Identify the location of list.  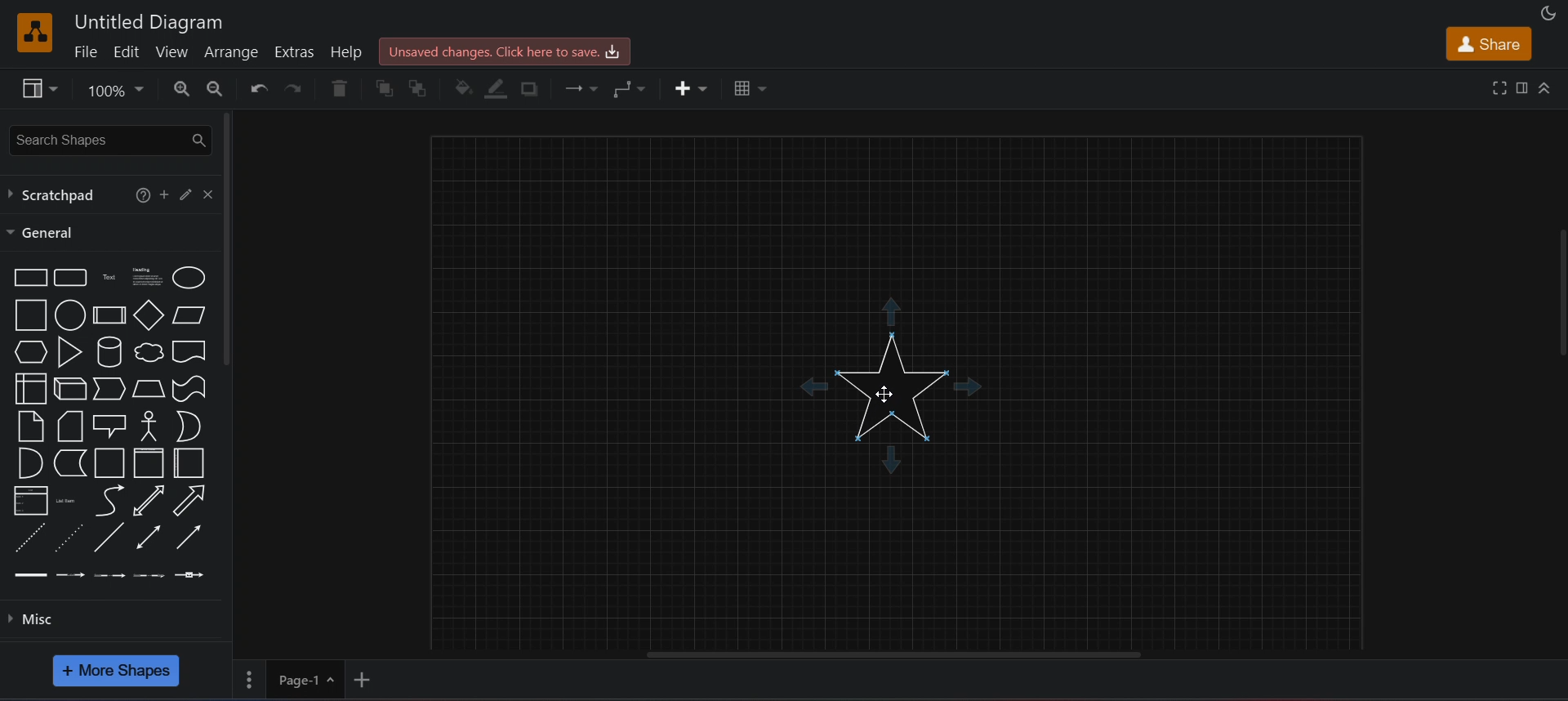
(29, 499).